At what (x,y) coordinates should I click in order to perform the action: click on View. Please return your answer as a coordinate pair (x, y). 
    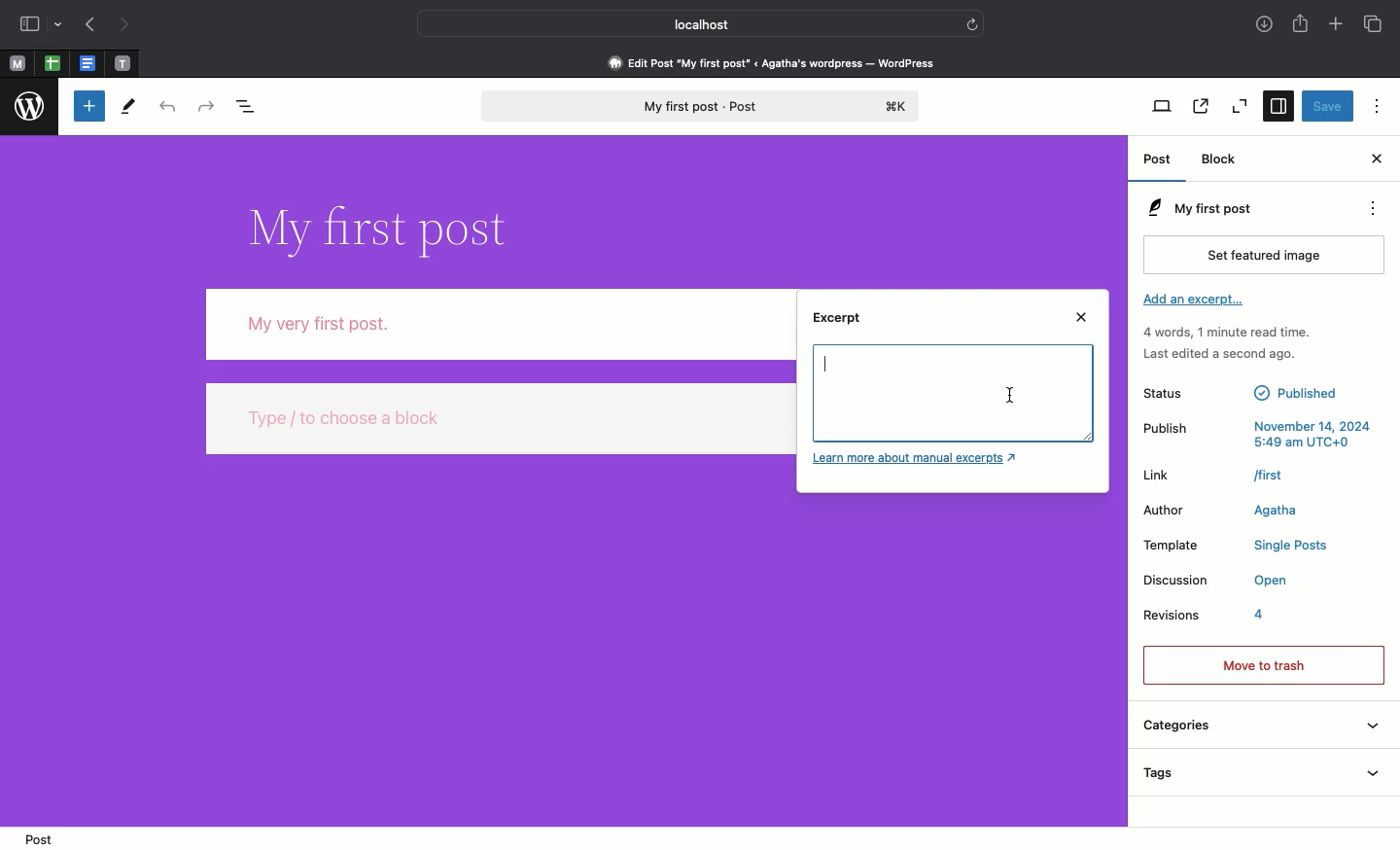
    Looking at the image, I should click on (1163, 107).